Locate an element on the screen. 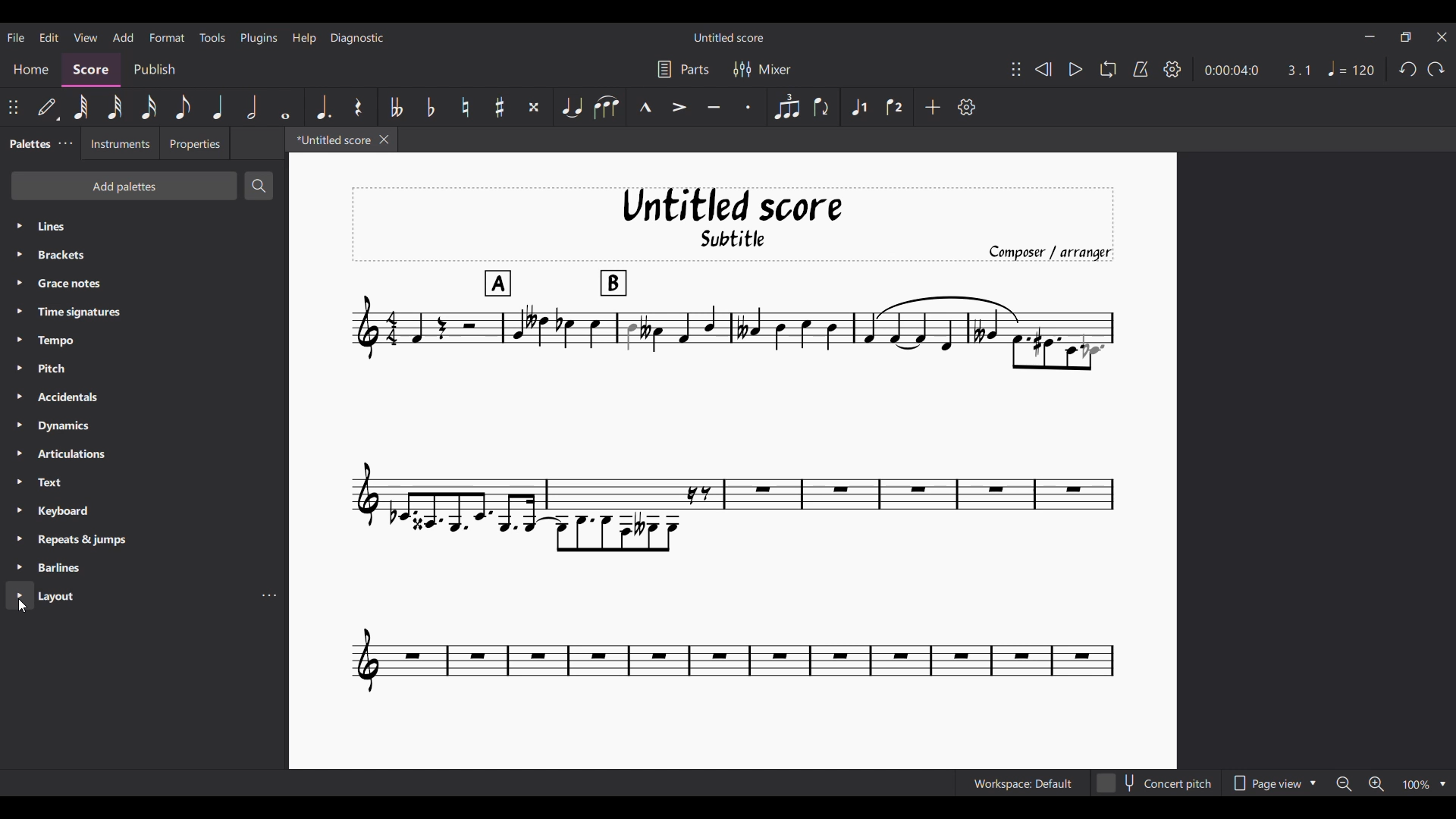 The image size is (1456, 819). Flip direction is located at coordinates (822, 106).